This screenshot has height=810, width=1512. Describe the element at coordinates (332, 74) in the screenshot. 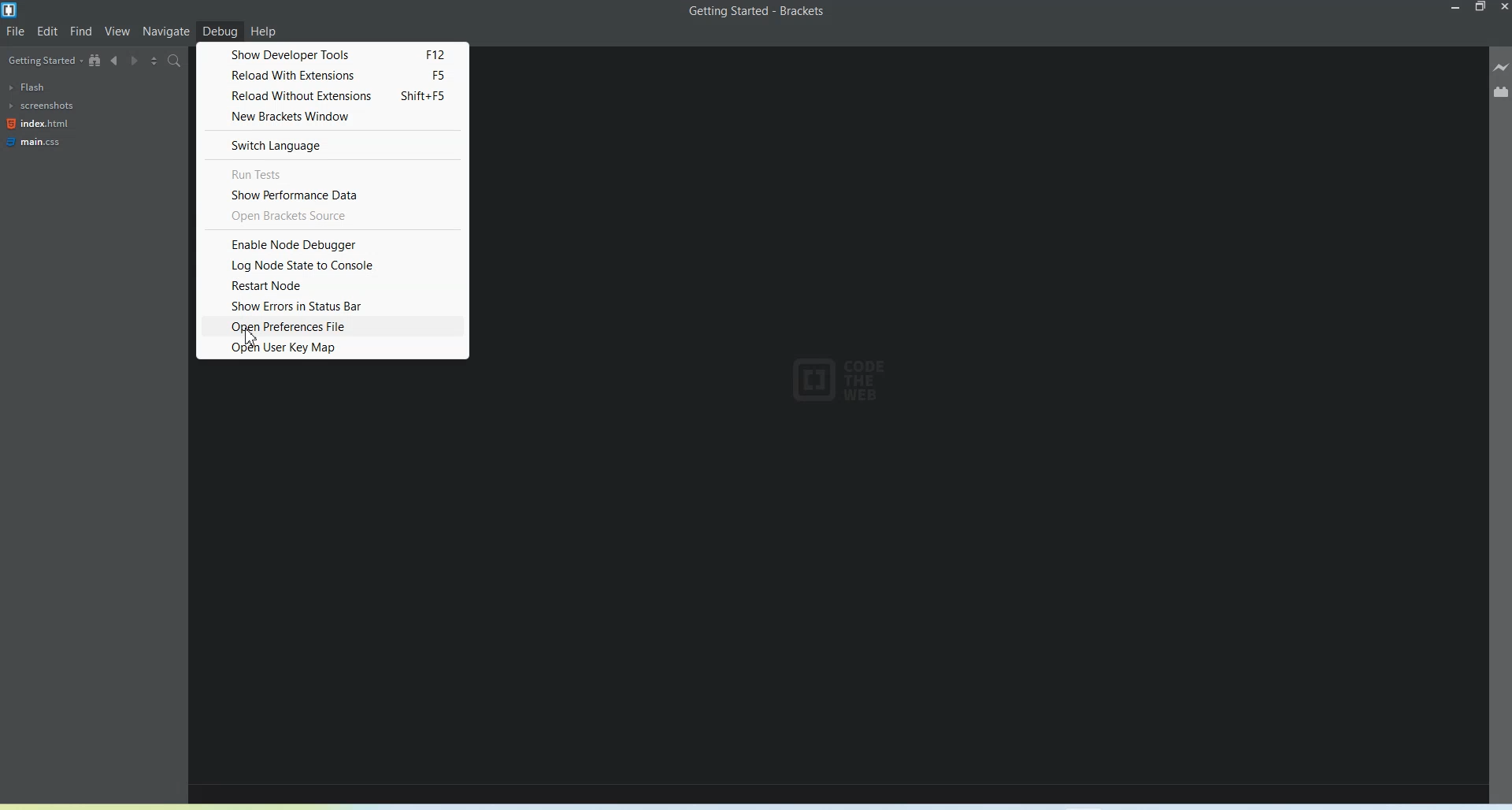

I see `Reload without Extensions` at that location.